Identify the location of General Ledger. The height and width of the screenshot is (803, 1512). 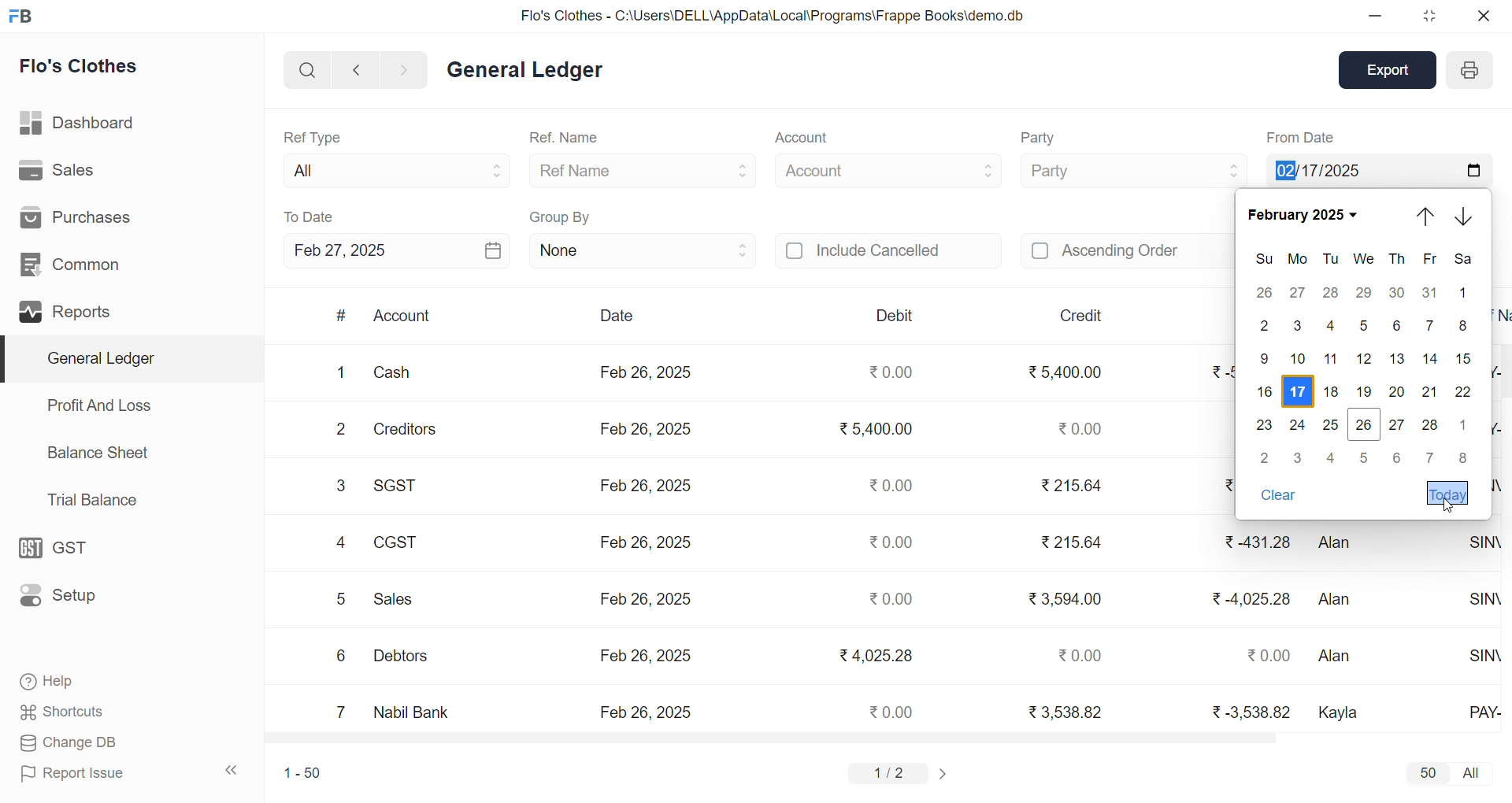
(127, 358).